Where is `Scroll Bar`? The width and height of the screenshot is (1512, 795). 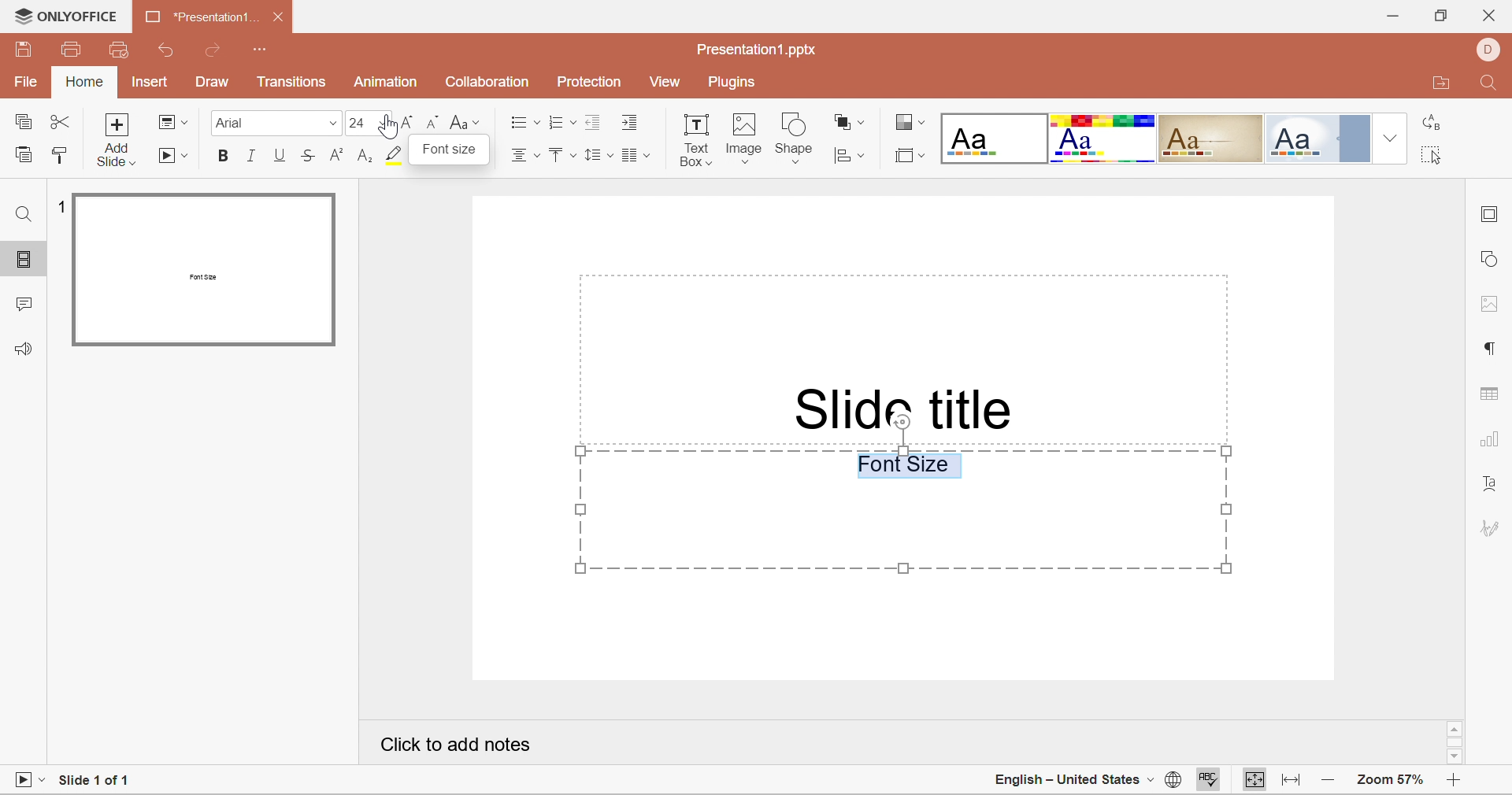
Scroll Bar is located at coordinates (1454, 741).